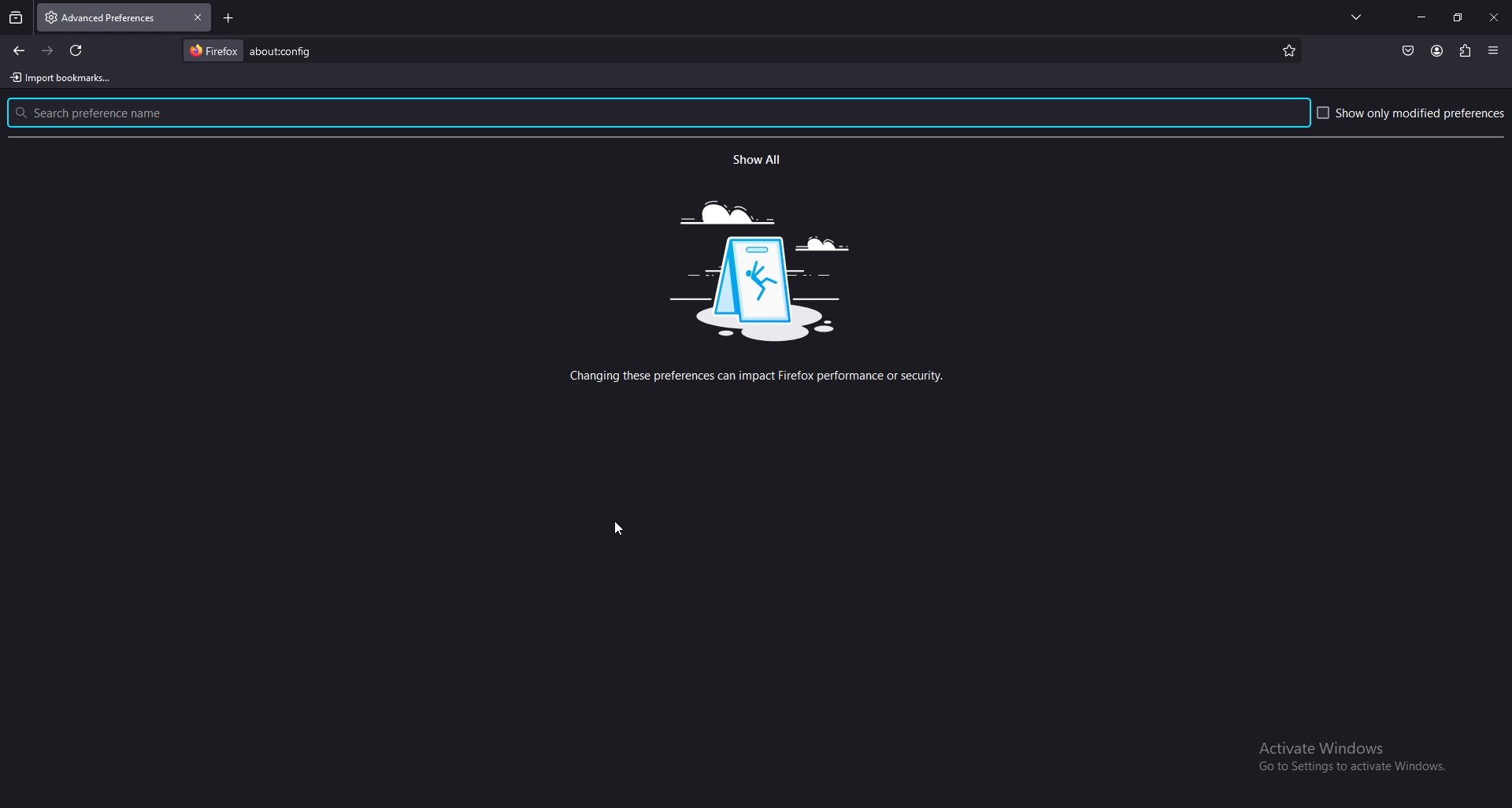 This screenshot has width=1512, height=808. I want to click on save to pocket, so click(1408, 51).